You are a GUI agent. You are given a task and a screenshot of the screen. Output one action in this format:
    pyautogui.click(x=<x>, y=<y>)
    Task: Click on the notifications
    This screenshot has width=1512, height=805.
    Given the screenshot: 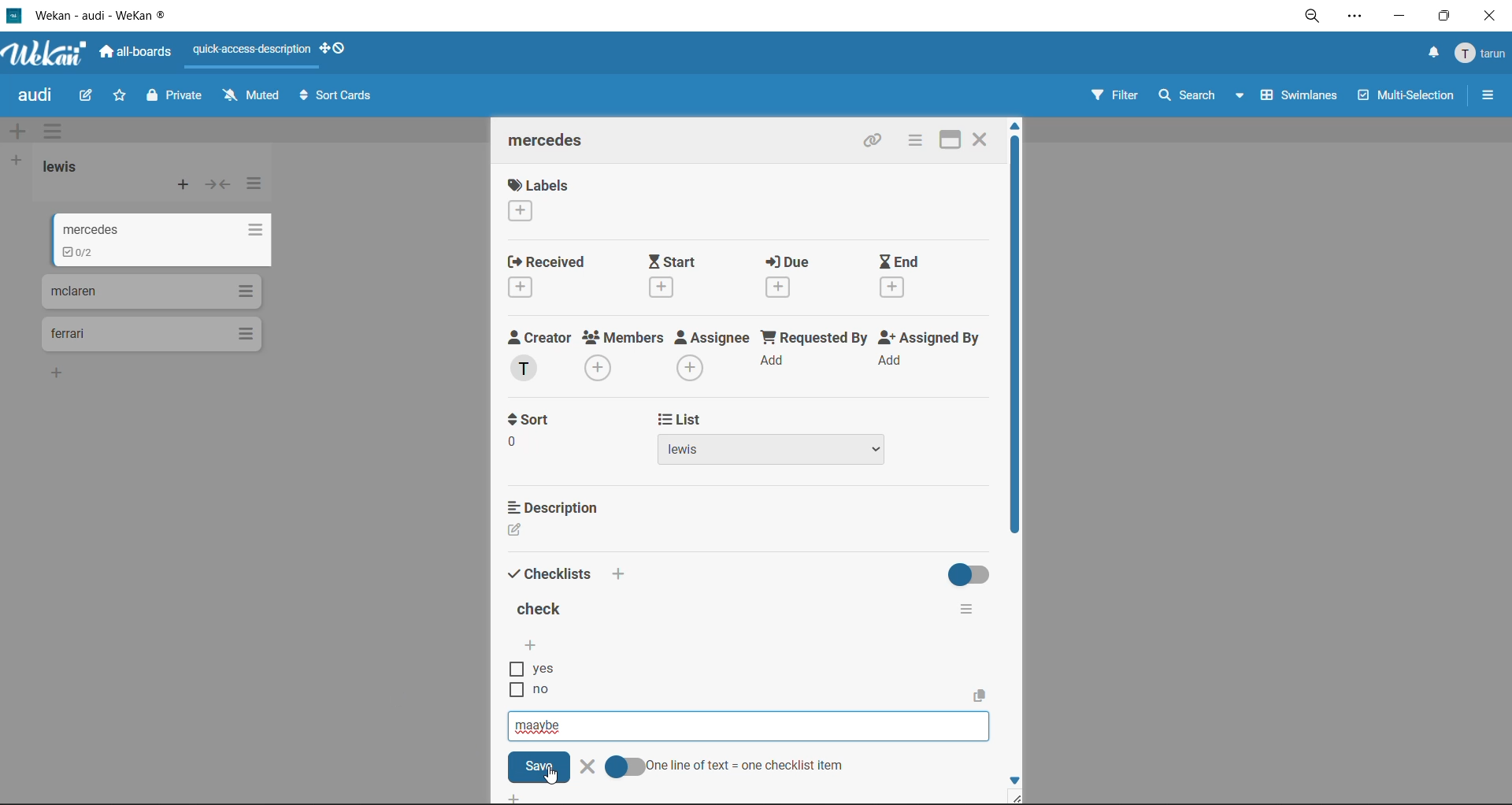 What is the action you would take?
    pyautogui.click(x=1431, y=54)
    